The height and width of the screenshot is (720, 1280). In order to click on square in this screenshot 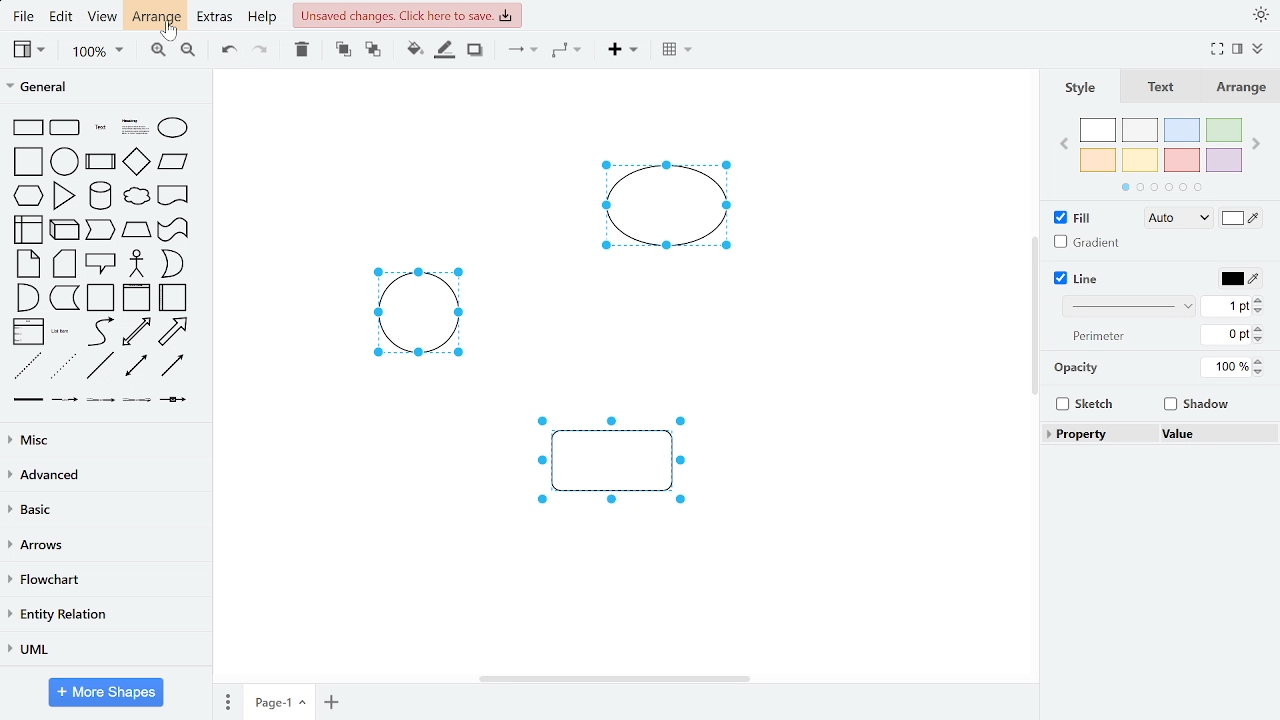, I will do `click(27, 162)`.